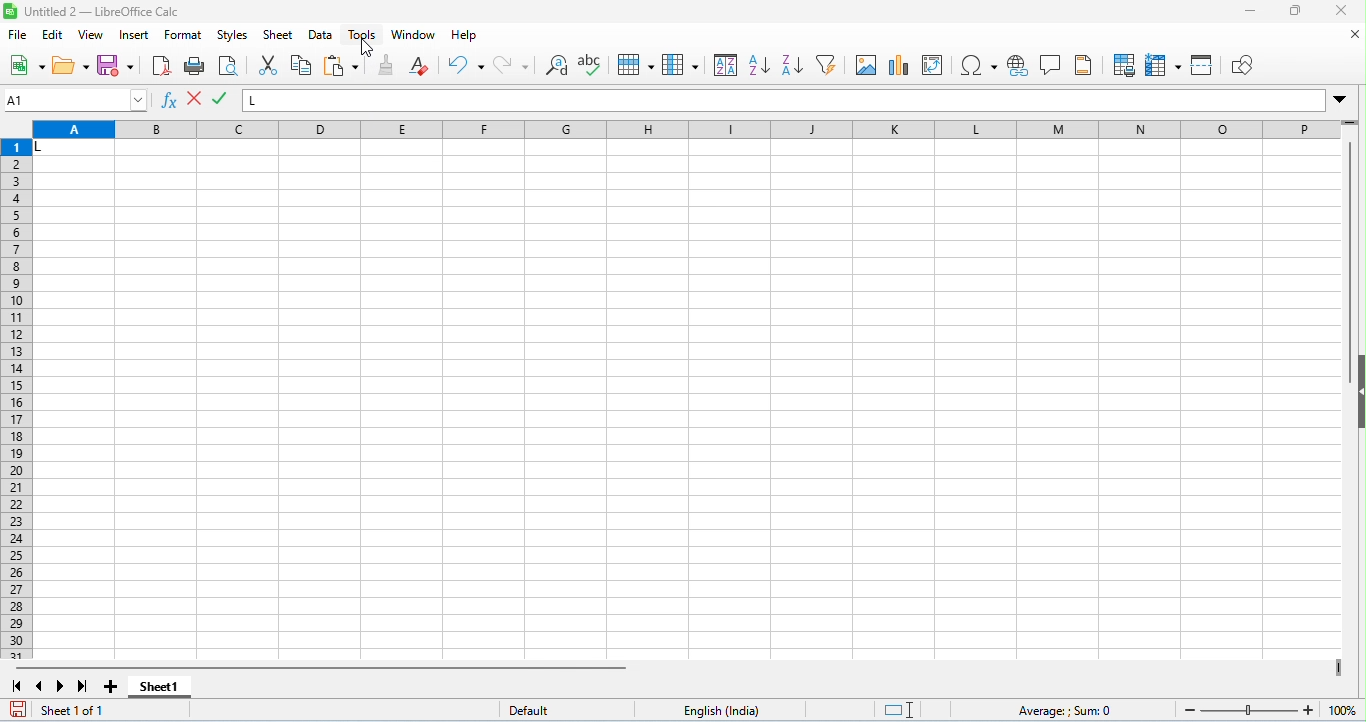 This screenshot has width=1366, height=722. Describe the element at coordinates (1204, 64) in the screenshot. I see `split window` at that location.